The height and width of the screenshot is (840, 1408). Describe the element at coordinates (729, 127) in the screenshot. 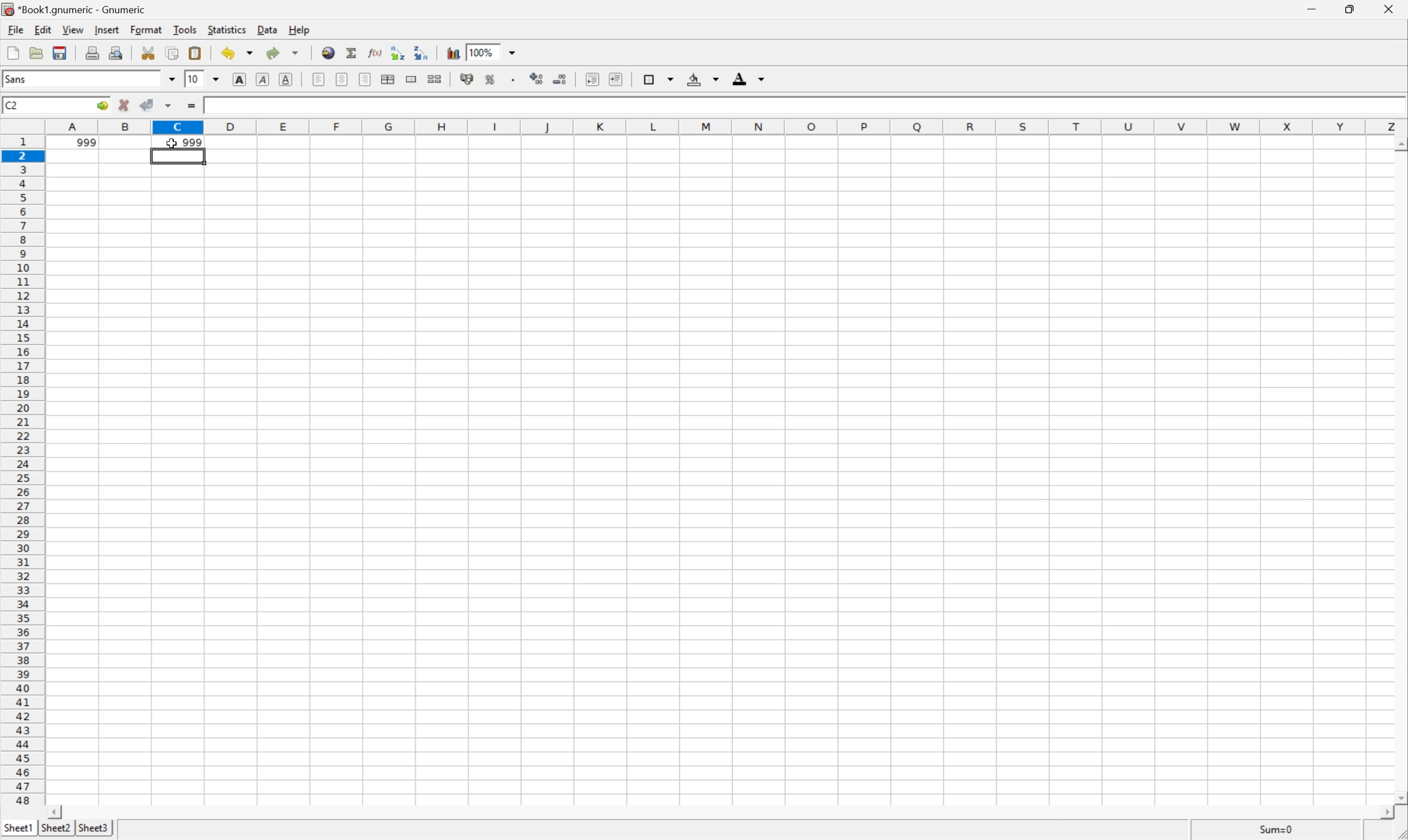

I see `column names` at that location.